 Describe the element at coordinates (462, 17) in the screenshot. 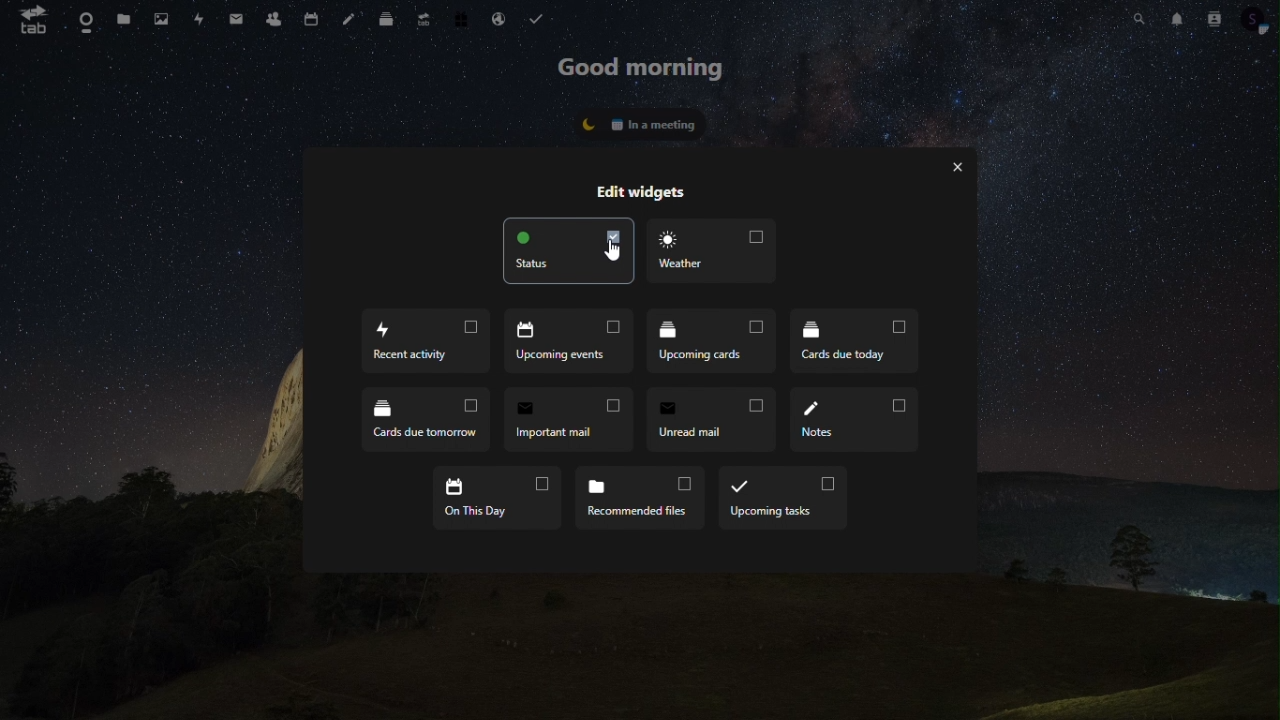

I see `free trial` at that location.